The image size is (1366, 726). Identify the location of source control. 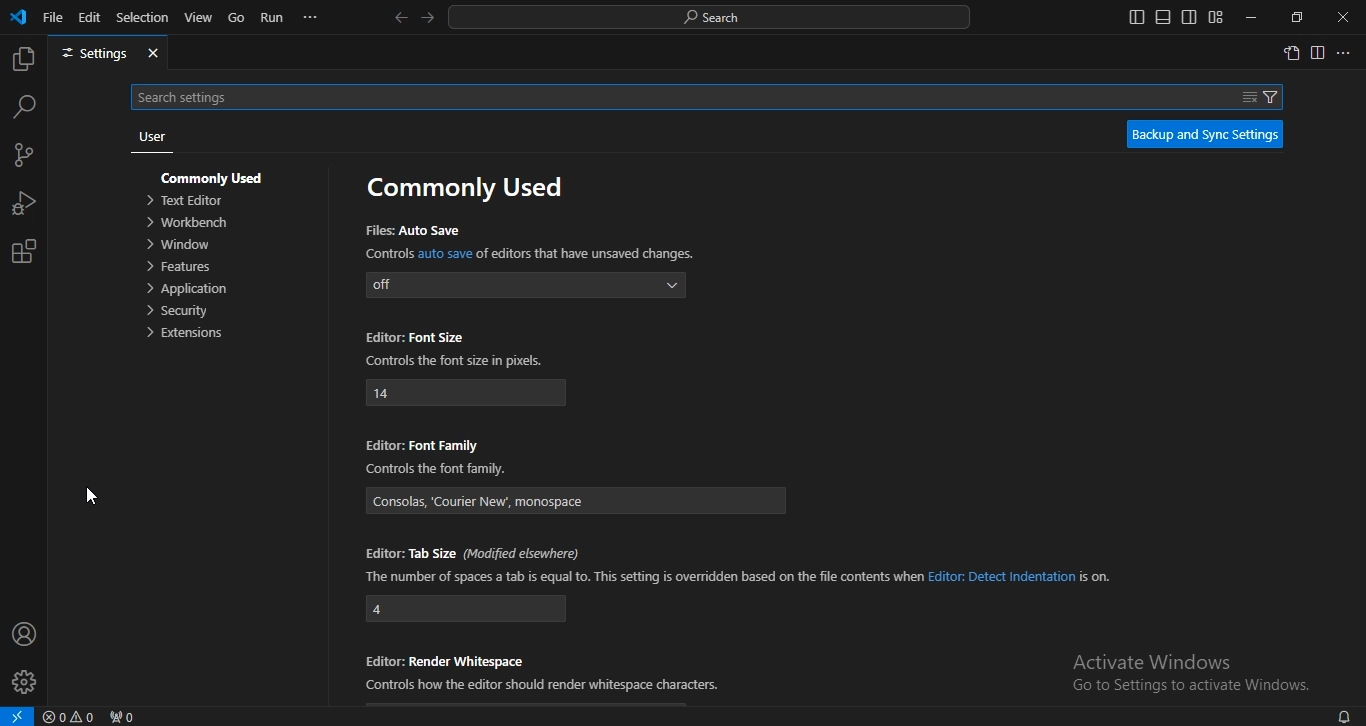
(22, 157).